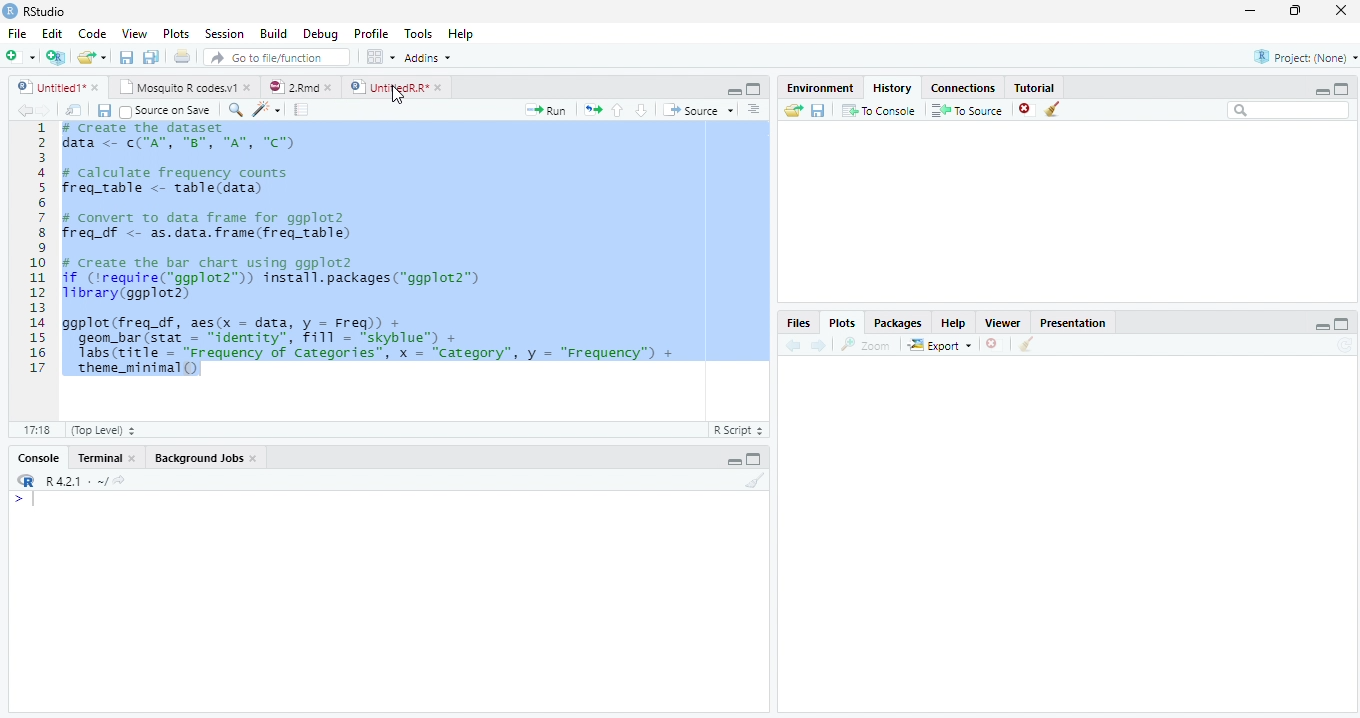  What do you see at coordinates (371, 34) in the screenshot?
I see `Profile` at bounding box center [371, 34].